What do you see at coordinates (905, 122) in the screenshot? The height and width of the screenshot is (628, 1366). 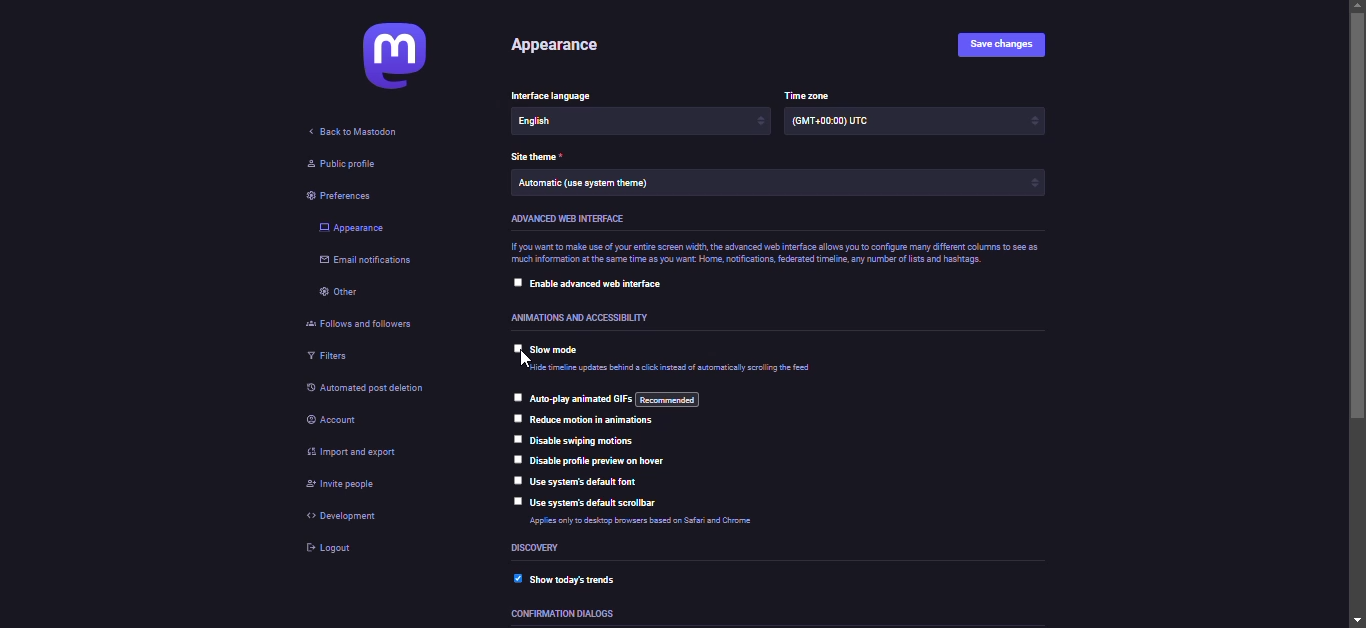 I see `(GMT +00:00) UTC` at bounding box center [905, 122].